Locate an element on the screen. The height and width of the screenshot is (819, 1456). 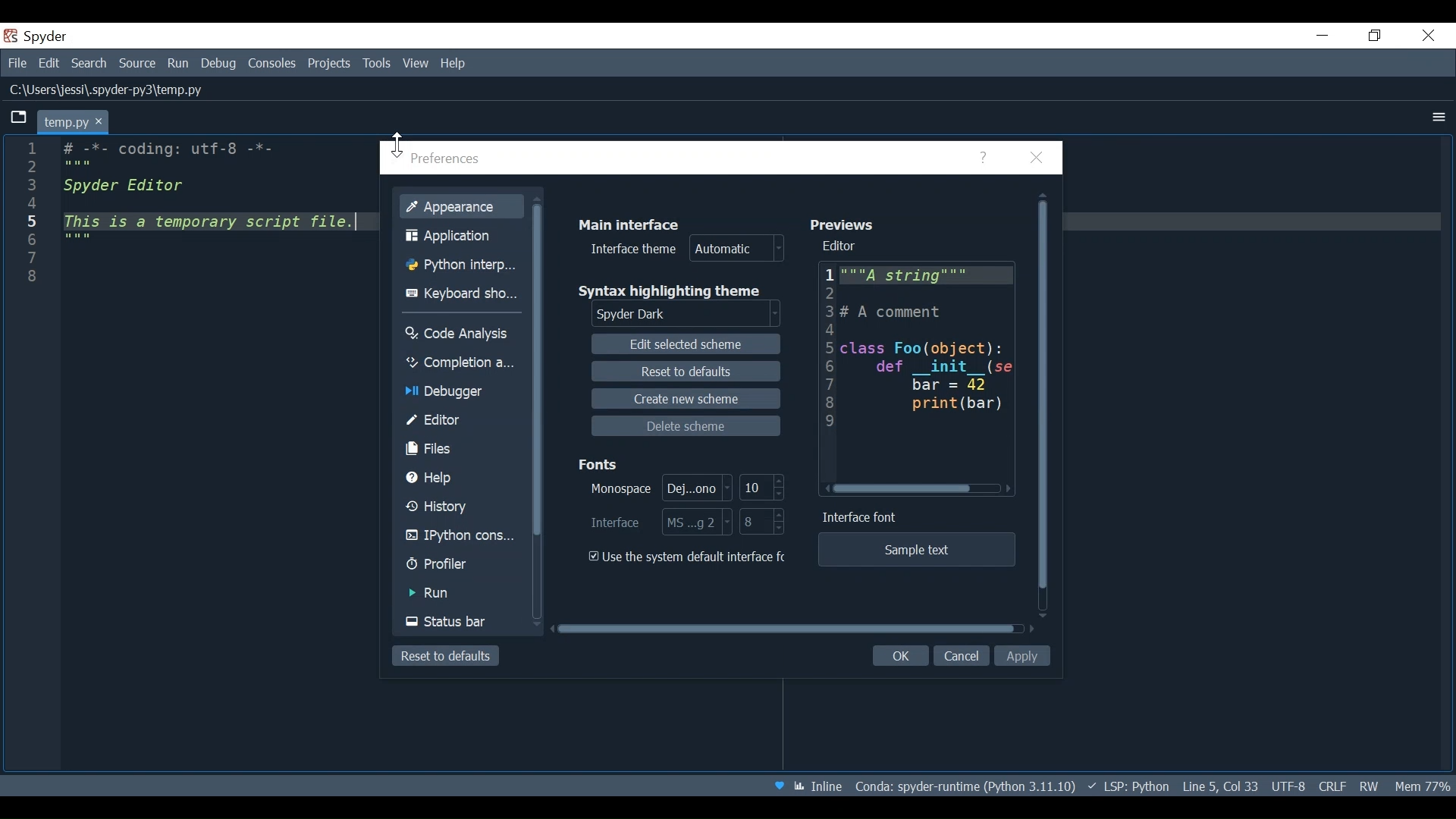
Edit selected scheme is located at coordinates (686, 344).